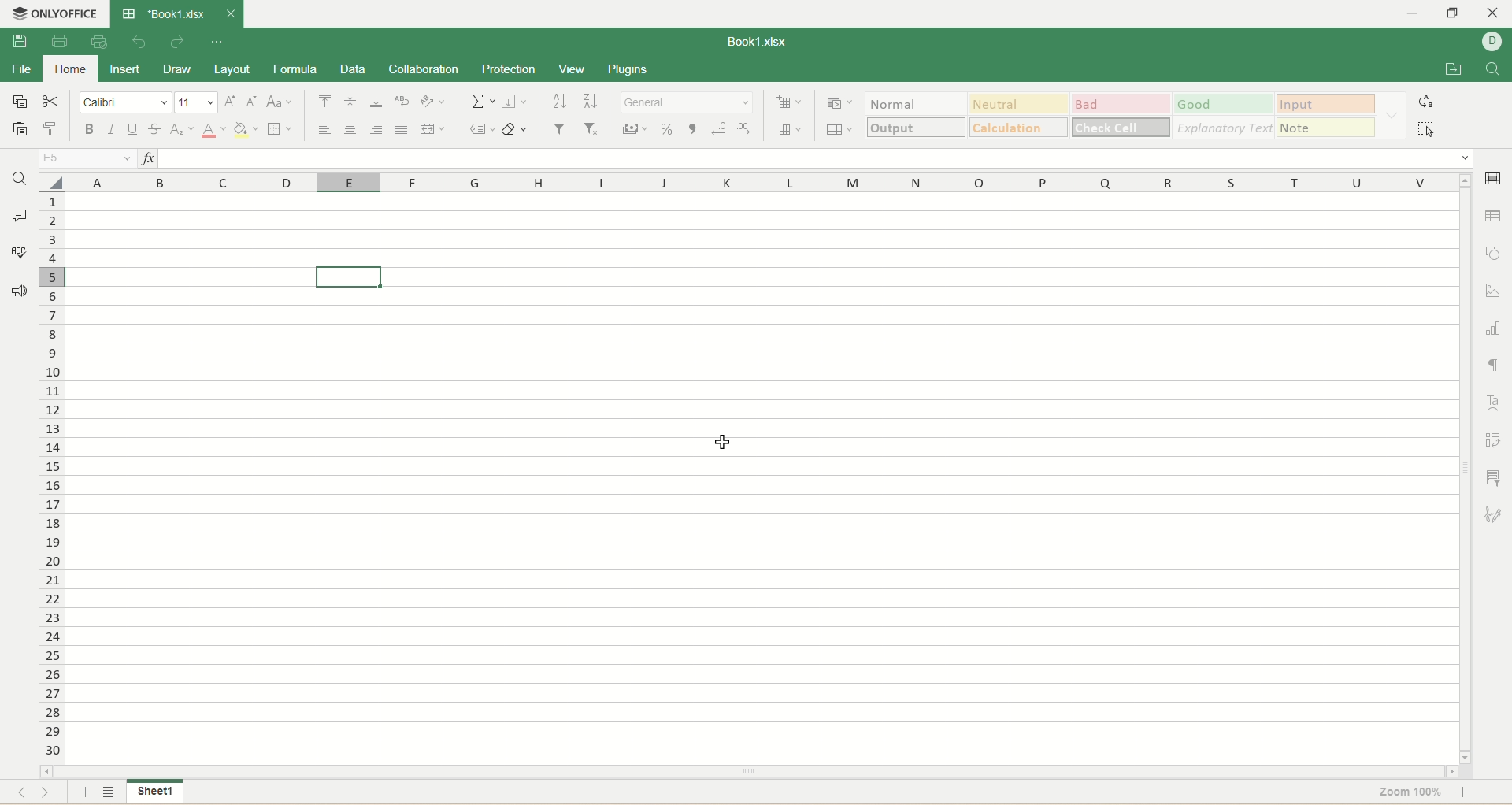 This screenshot has height=805, width=1512. I want to click on good, so click(1221, 105).